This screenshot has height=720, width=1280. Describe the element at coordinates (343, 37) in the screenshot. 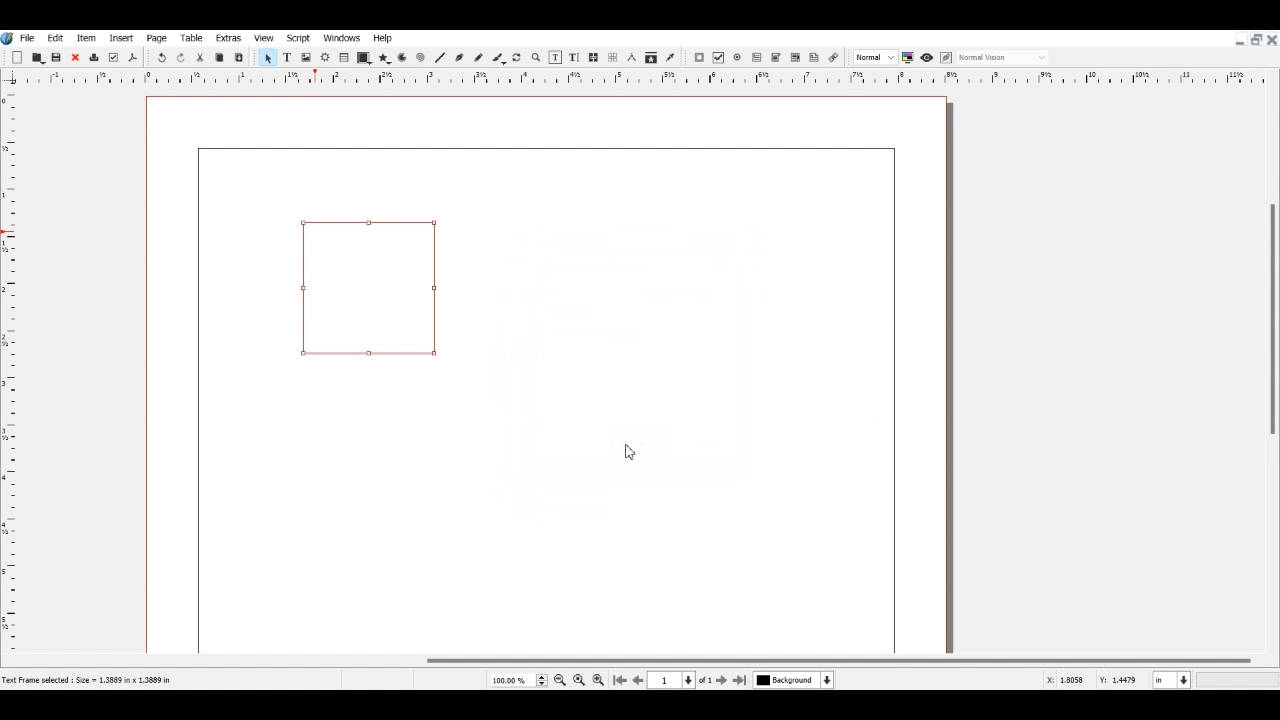

I see `Windows` at that location.